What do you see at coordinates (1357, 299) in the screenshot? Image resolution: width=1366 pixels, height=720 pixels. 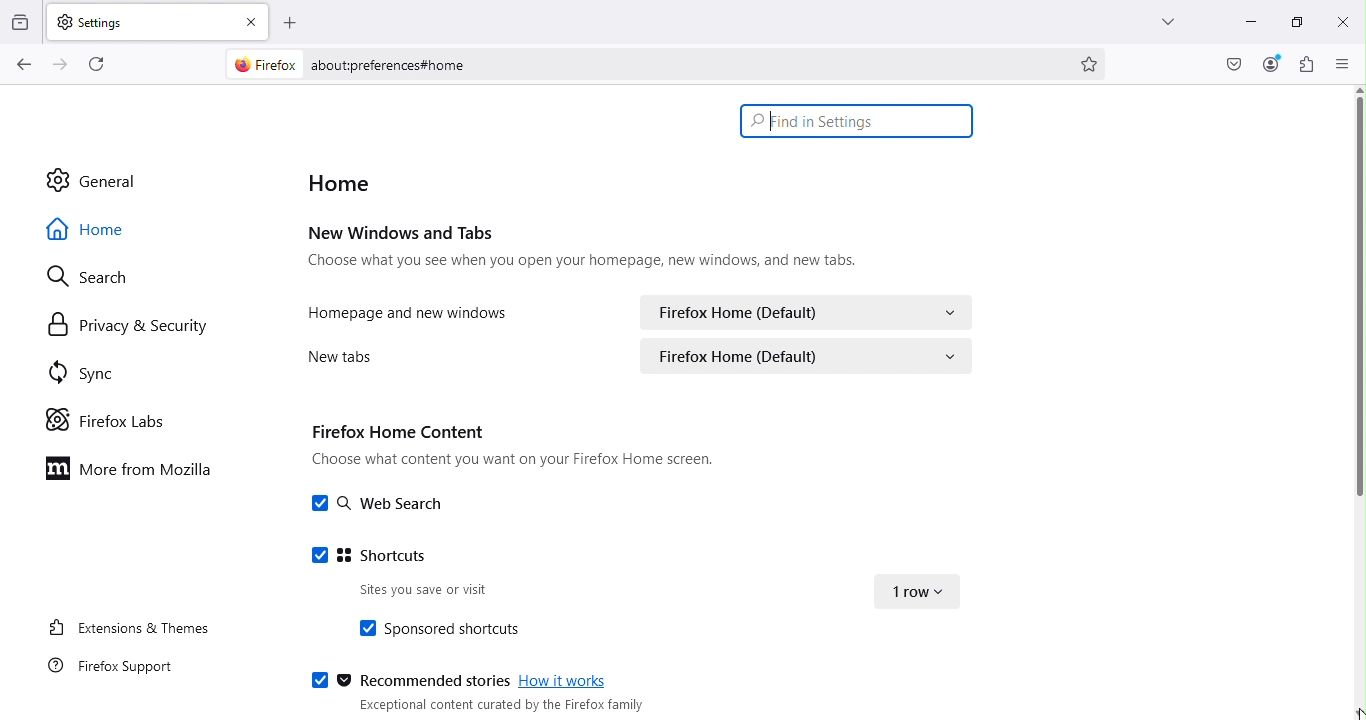 I see `Scroll bar` at bounding box center [1357, 299].